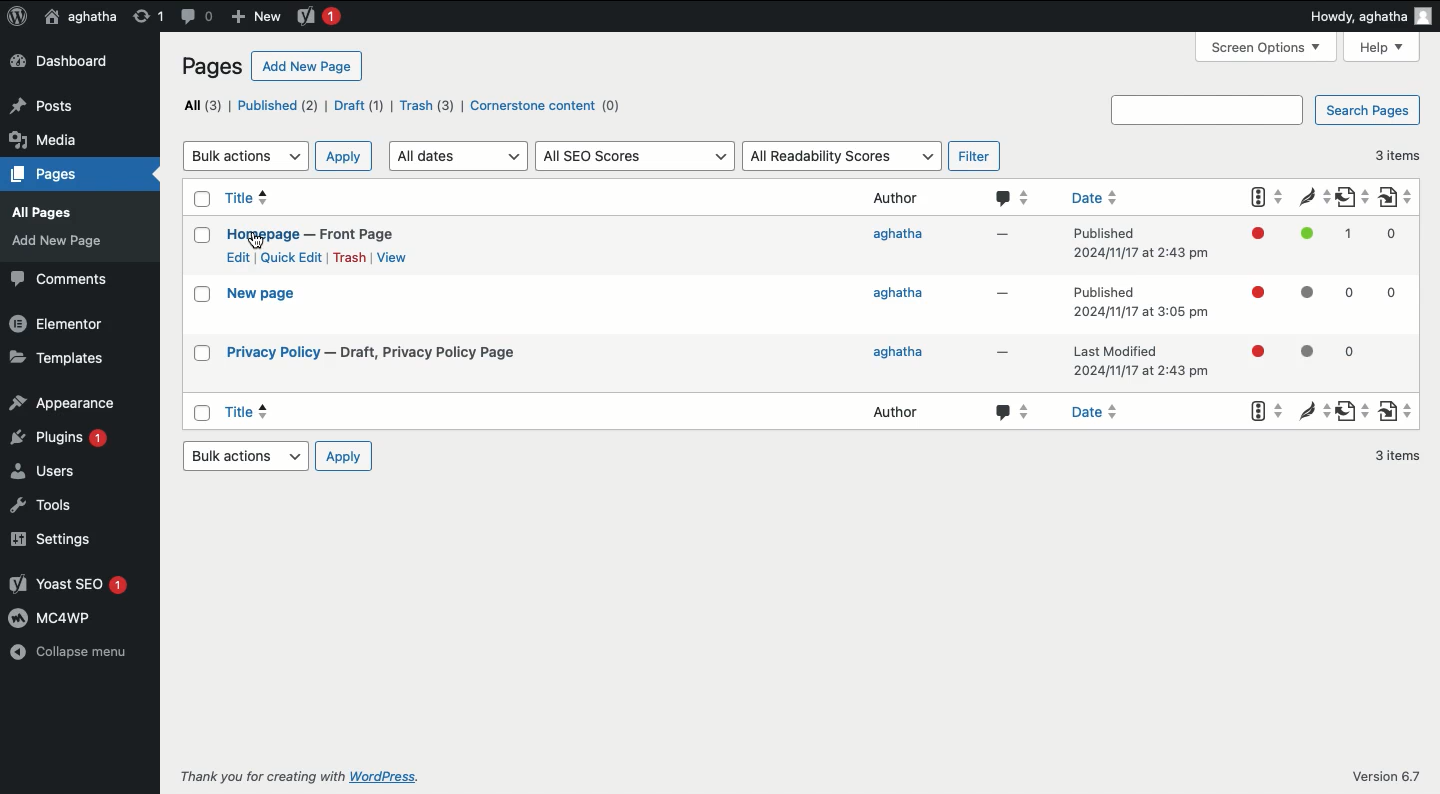  Describe the element at coordinates (237, 257) in the screenshot. I see `Edit` at that location.